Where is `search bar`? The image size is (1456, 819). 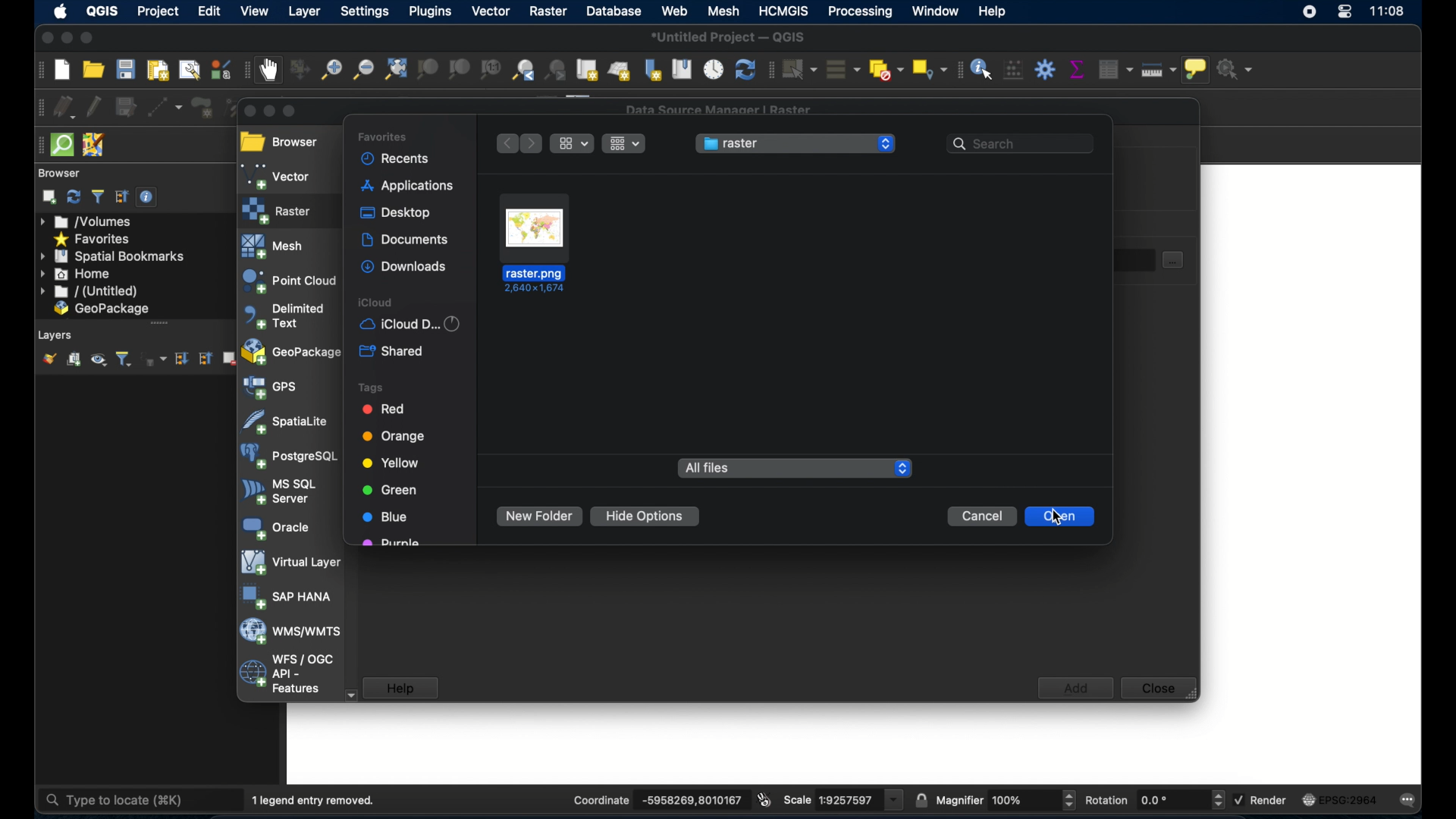
search bar is located at coordinates (1025, 142).